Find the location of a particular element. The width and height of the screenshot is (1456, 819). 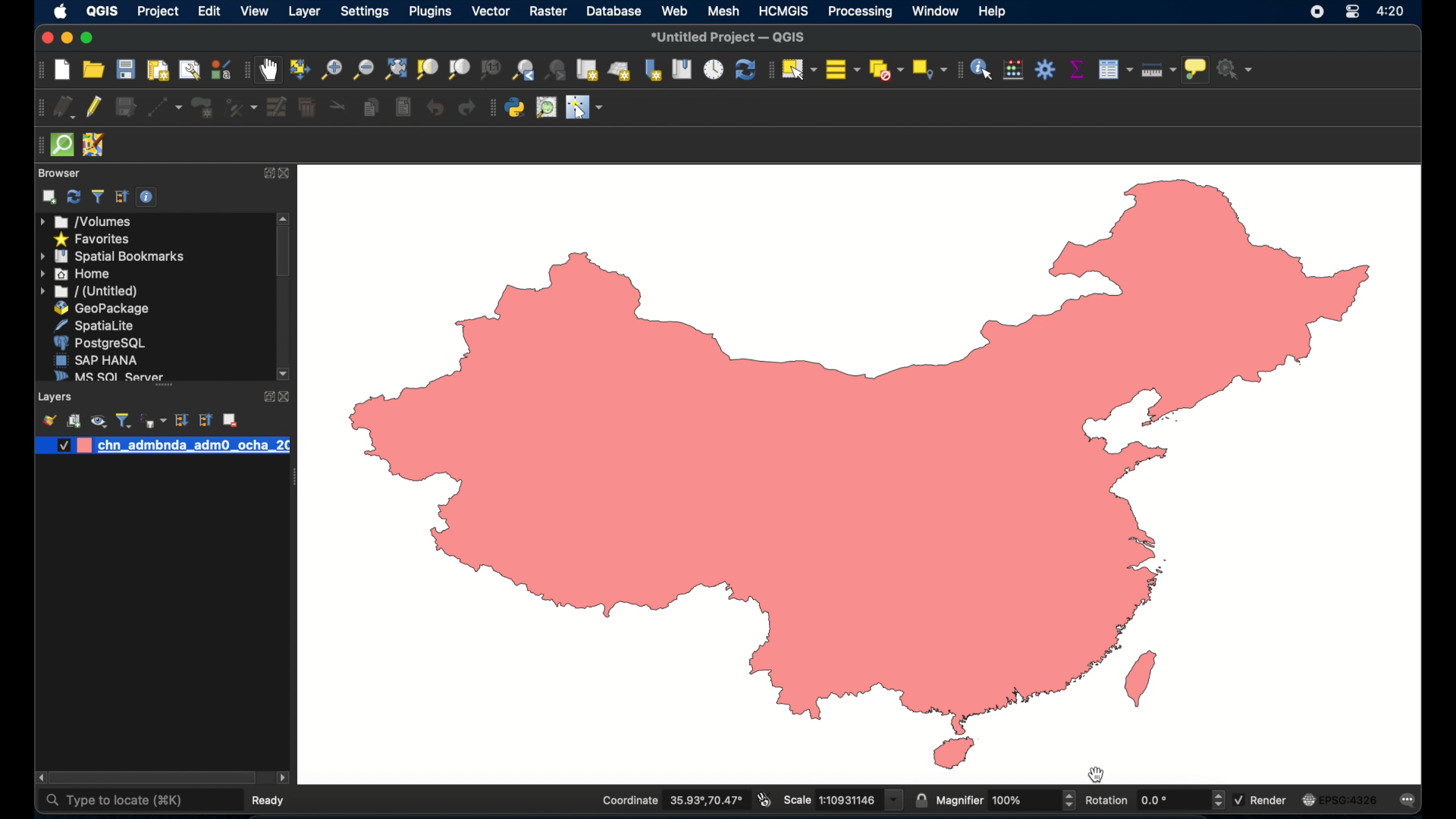

zoom to layer is located at coordinates (460, 69).